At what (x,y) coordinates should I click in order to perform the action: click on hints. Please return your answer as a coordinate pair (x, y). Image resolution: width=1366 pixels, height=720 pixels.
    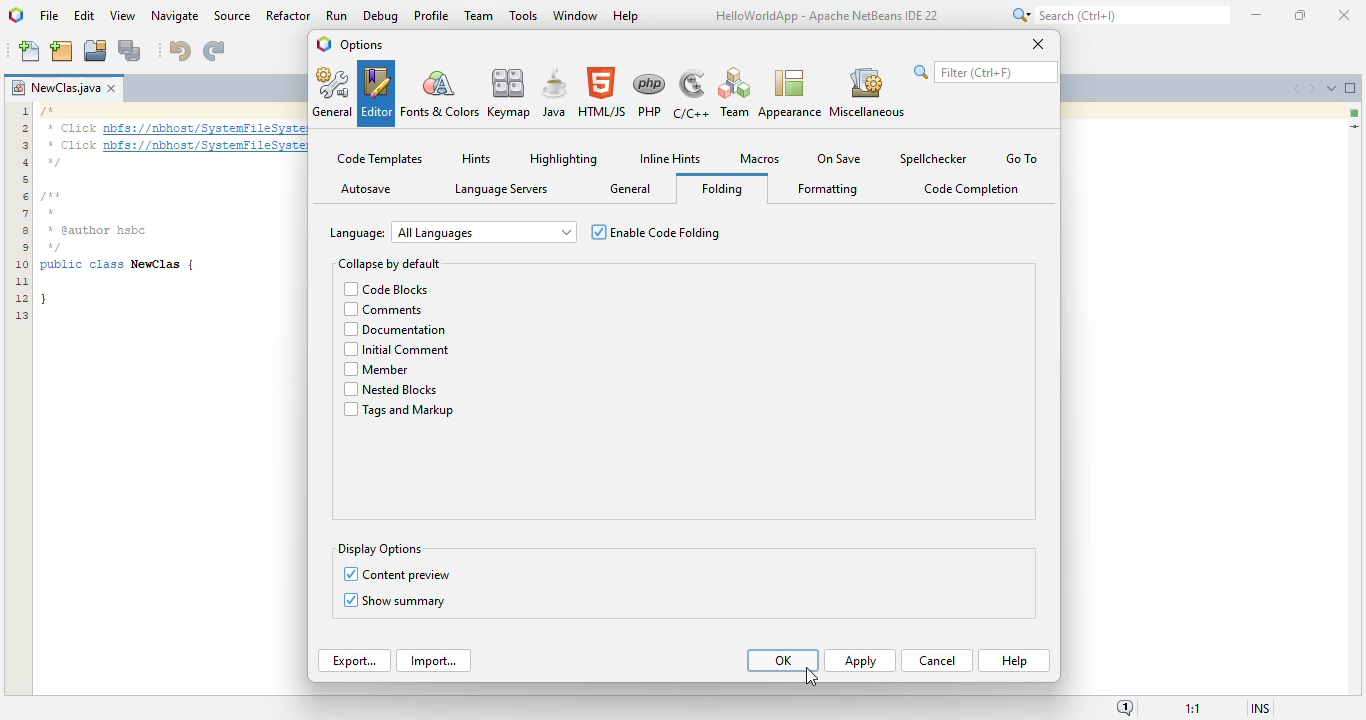
    Looking at the image, I should click on (476, 158).